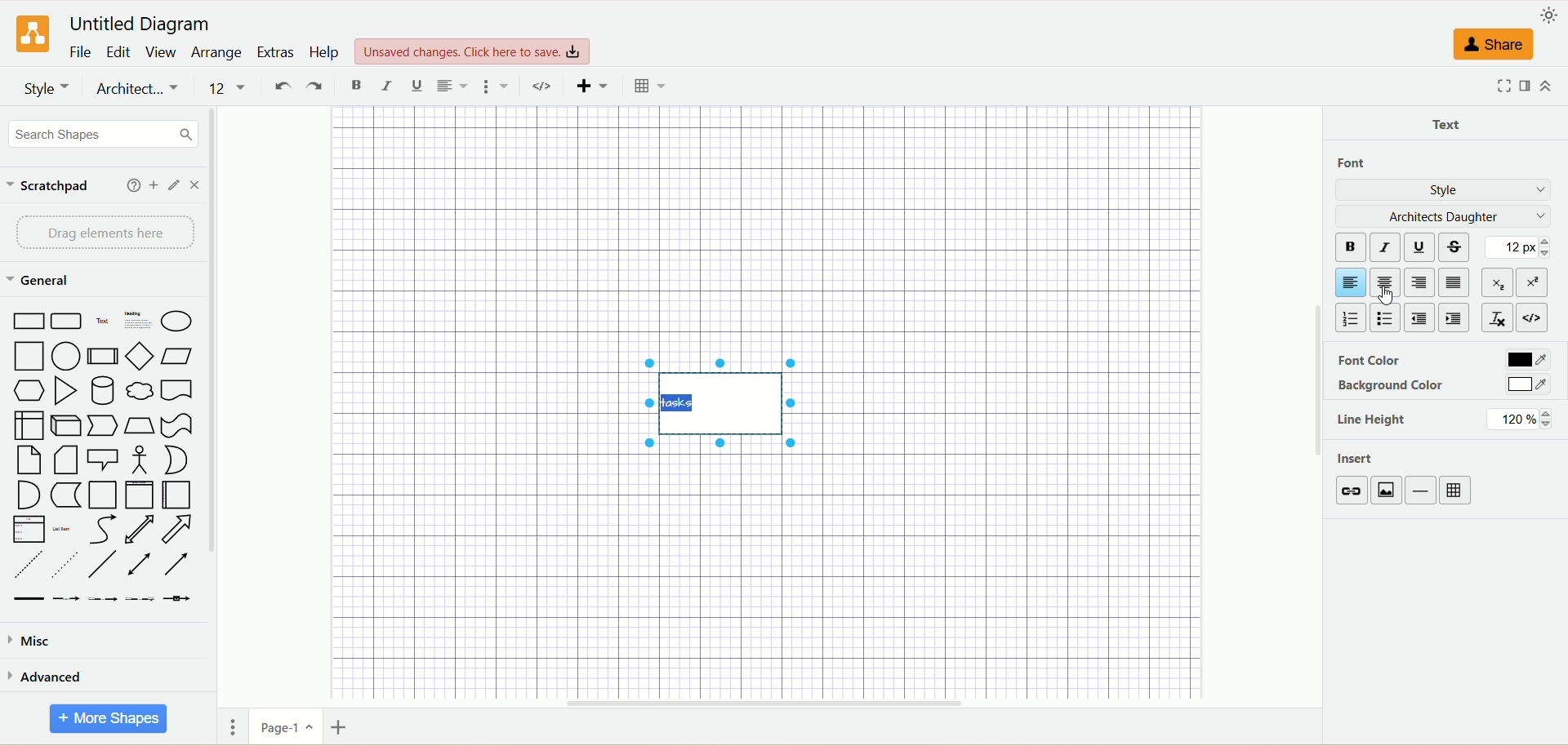  Describe the element at coordinates (1548, 16) in the screenshot. I see `appearance` at that location.